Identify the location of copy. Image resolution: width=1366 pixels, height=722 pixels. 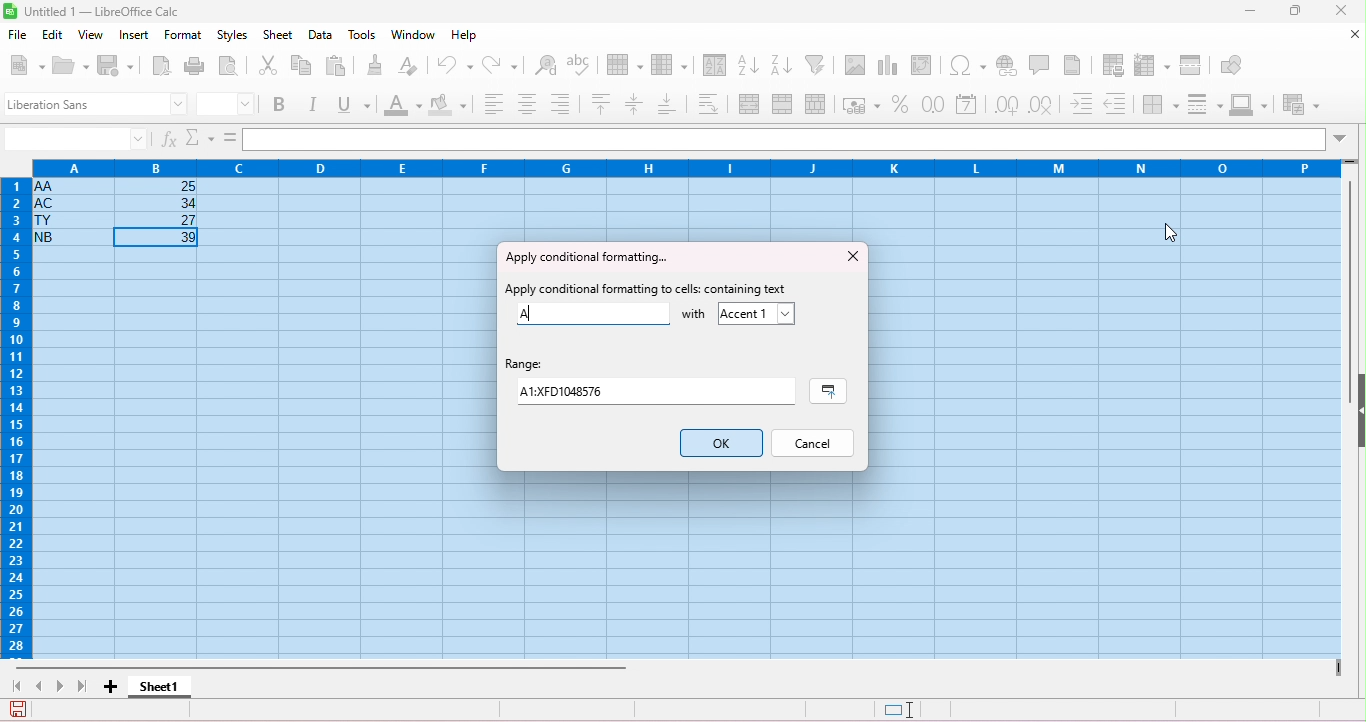
(301, 65).